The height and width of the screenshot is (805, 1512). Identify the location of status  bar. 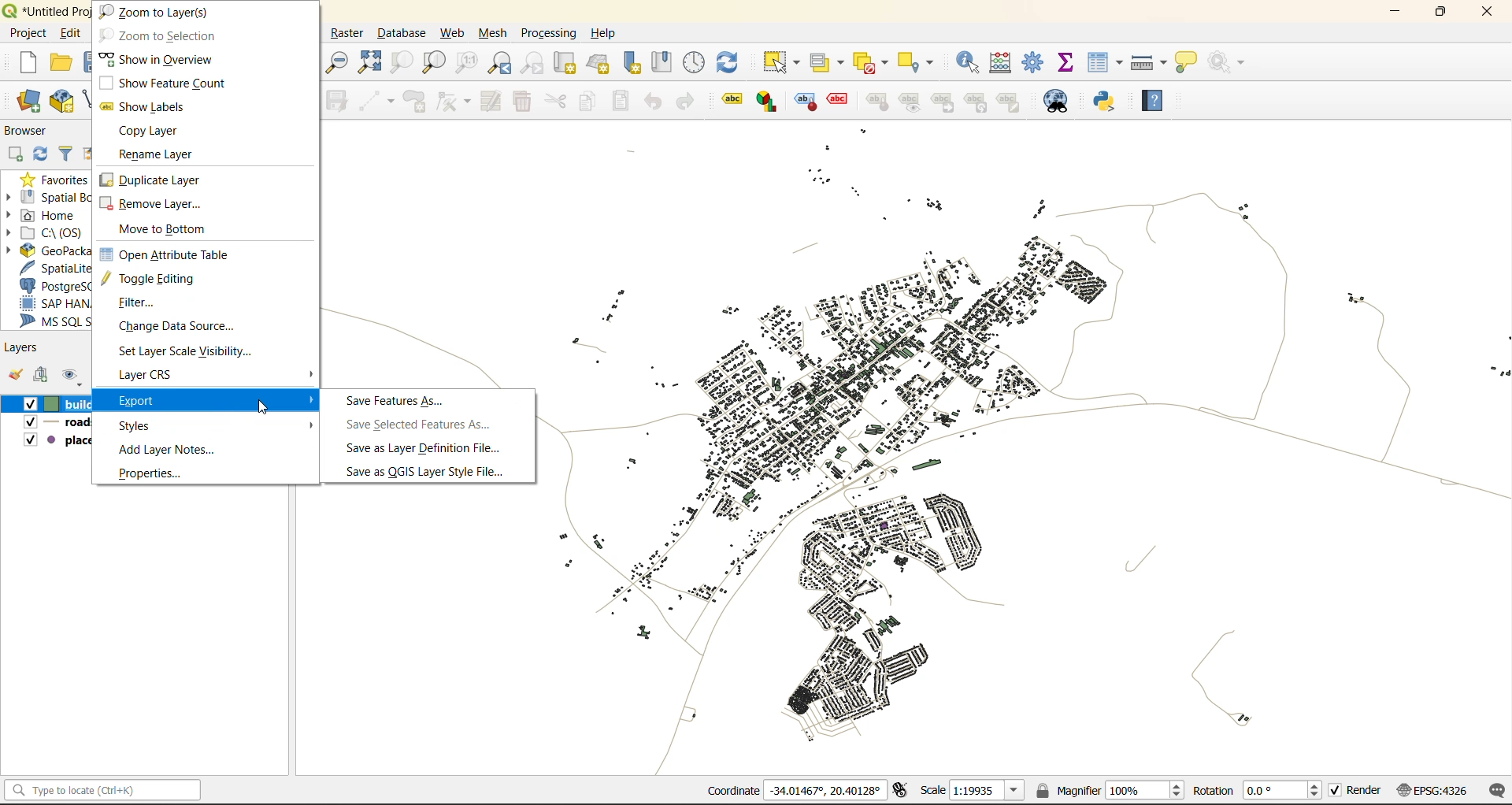
(106, 791).